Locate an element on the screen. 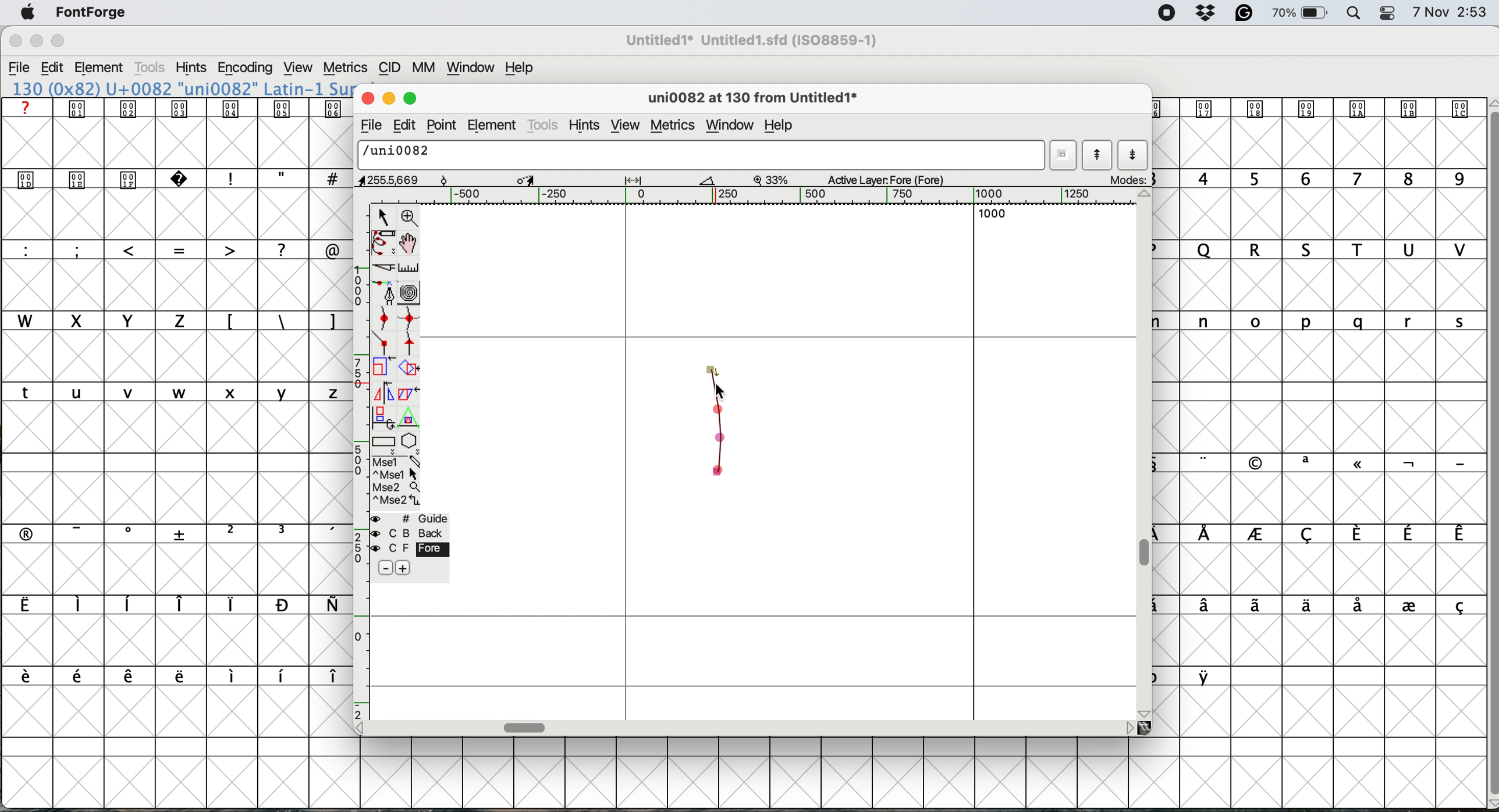 The height and width of the screenshot is (812, 1499). file is located at coordinates (22, 69).